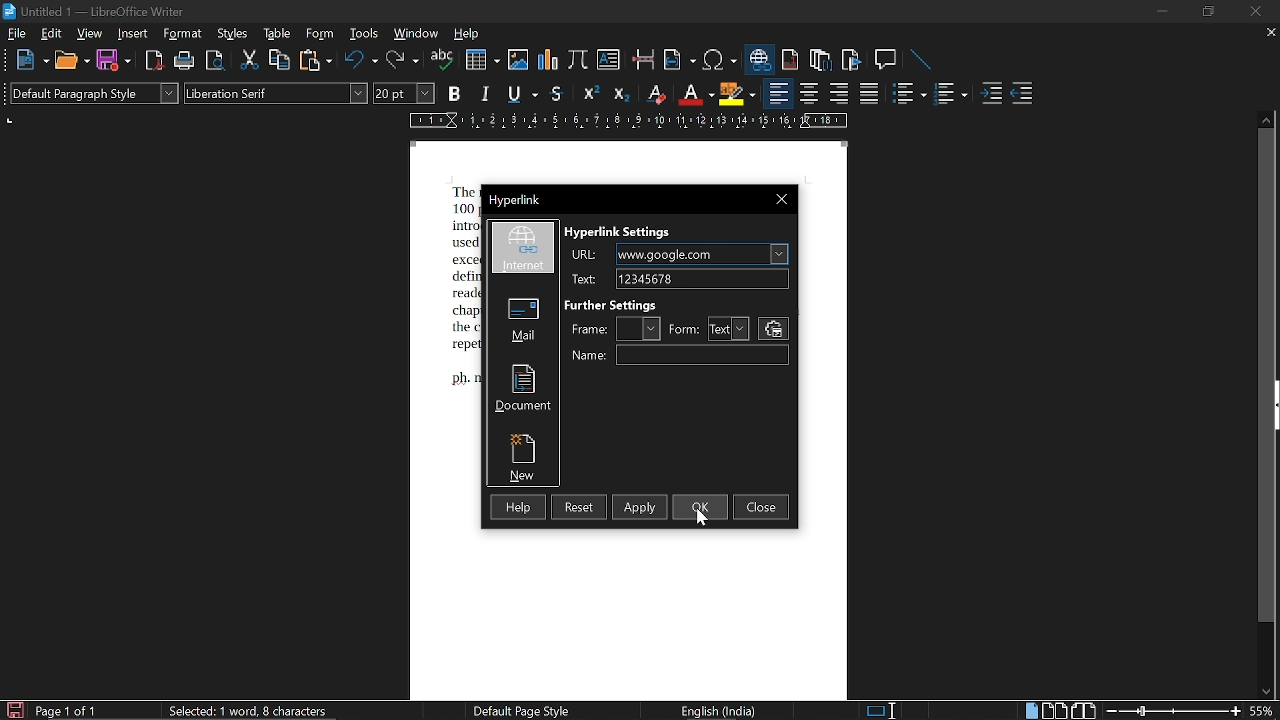  What do you see at coordinates (578, 507) in the screenshot?
I see `reset` at bounding box center [578, 507].